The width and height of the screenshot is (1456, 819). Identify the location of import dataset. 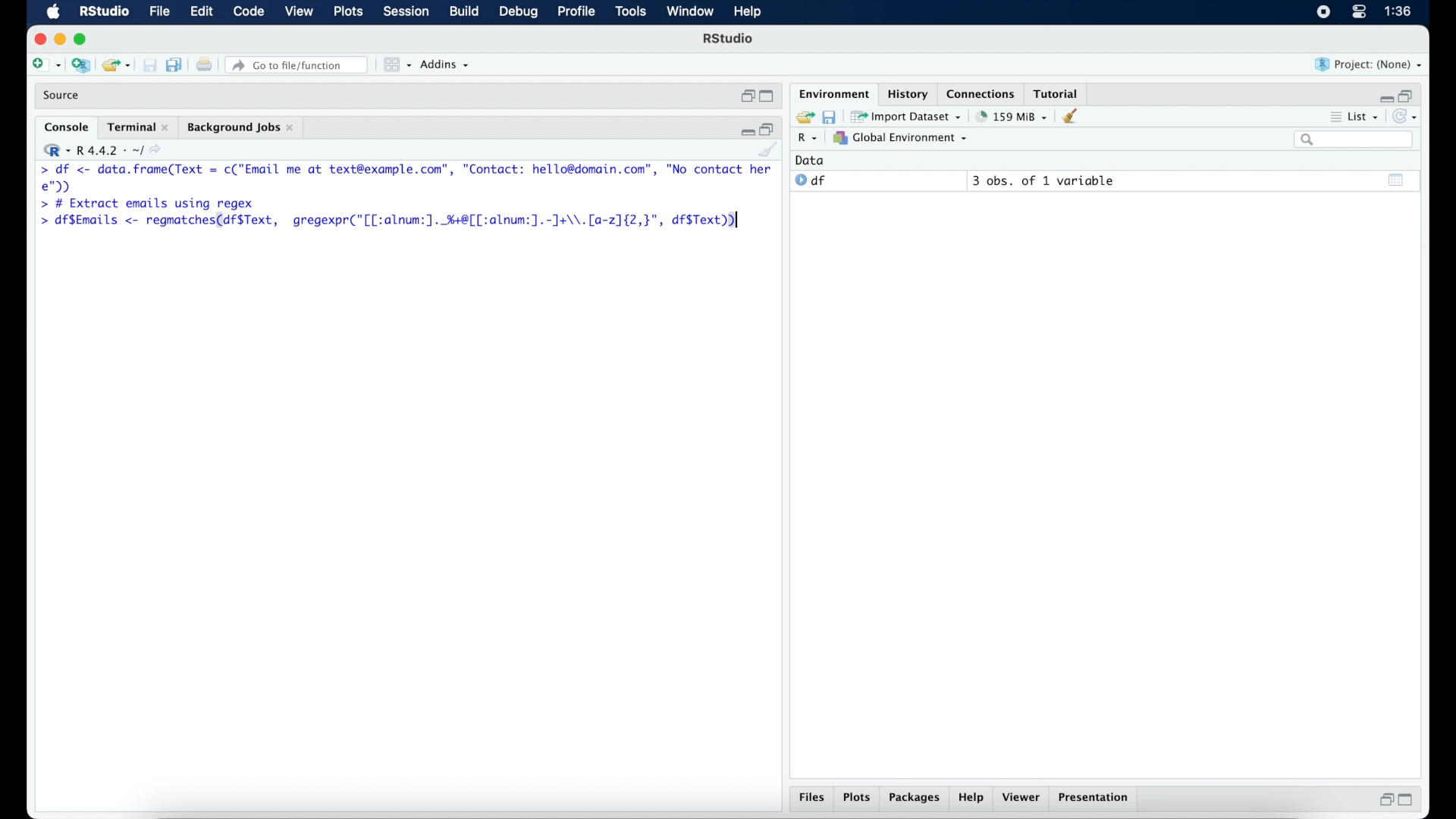
(908, 117).